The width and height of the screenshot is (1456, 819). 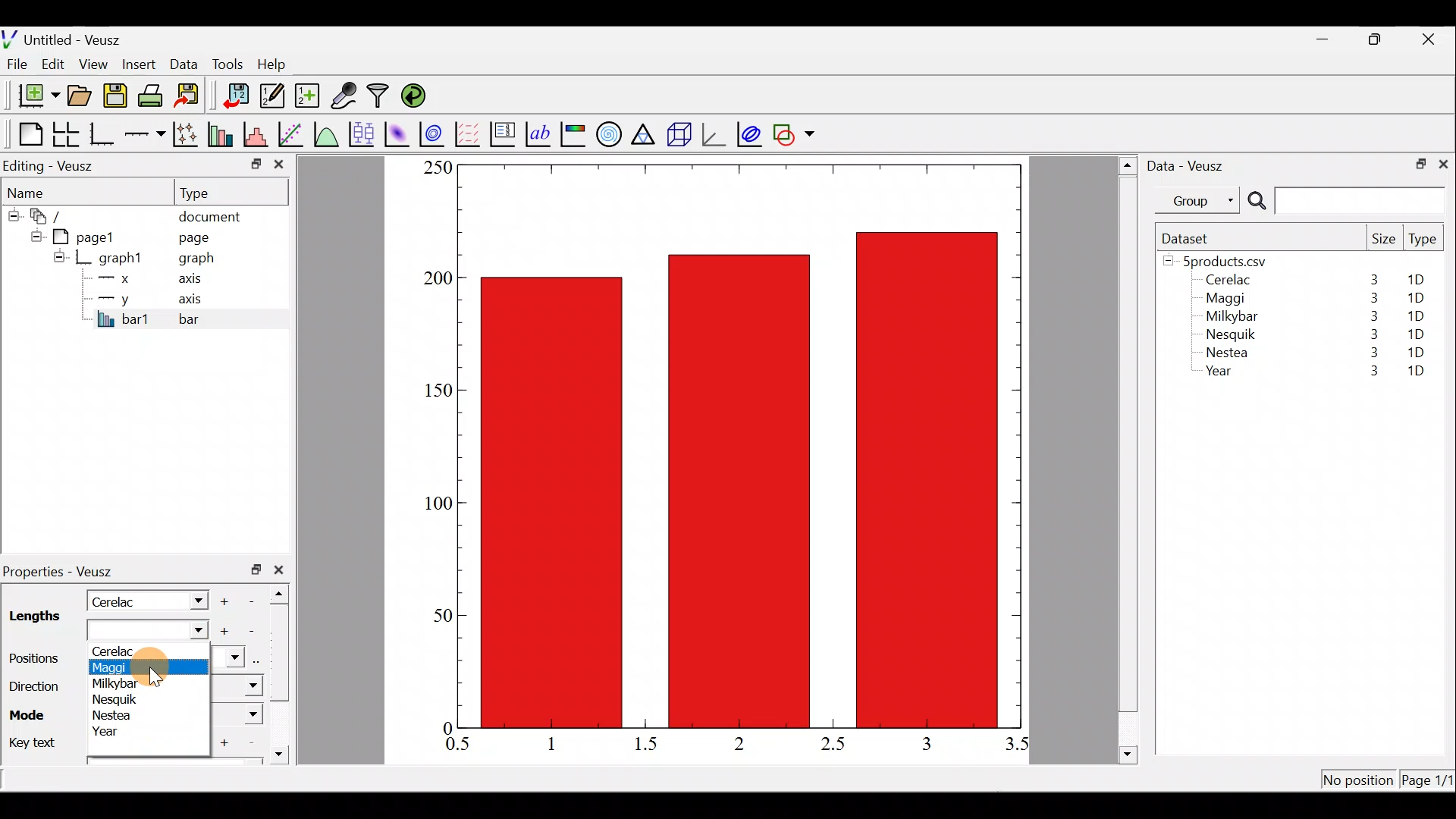 What do you see at coordinates (1418, 331) in the screenshot?
I see `1D` at bounding box center [1418, 331].